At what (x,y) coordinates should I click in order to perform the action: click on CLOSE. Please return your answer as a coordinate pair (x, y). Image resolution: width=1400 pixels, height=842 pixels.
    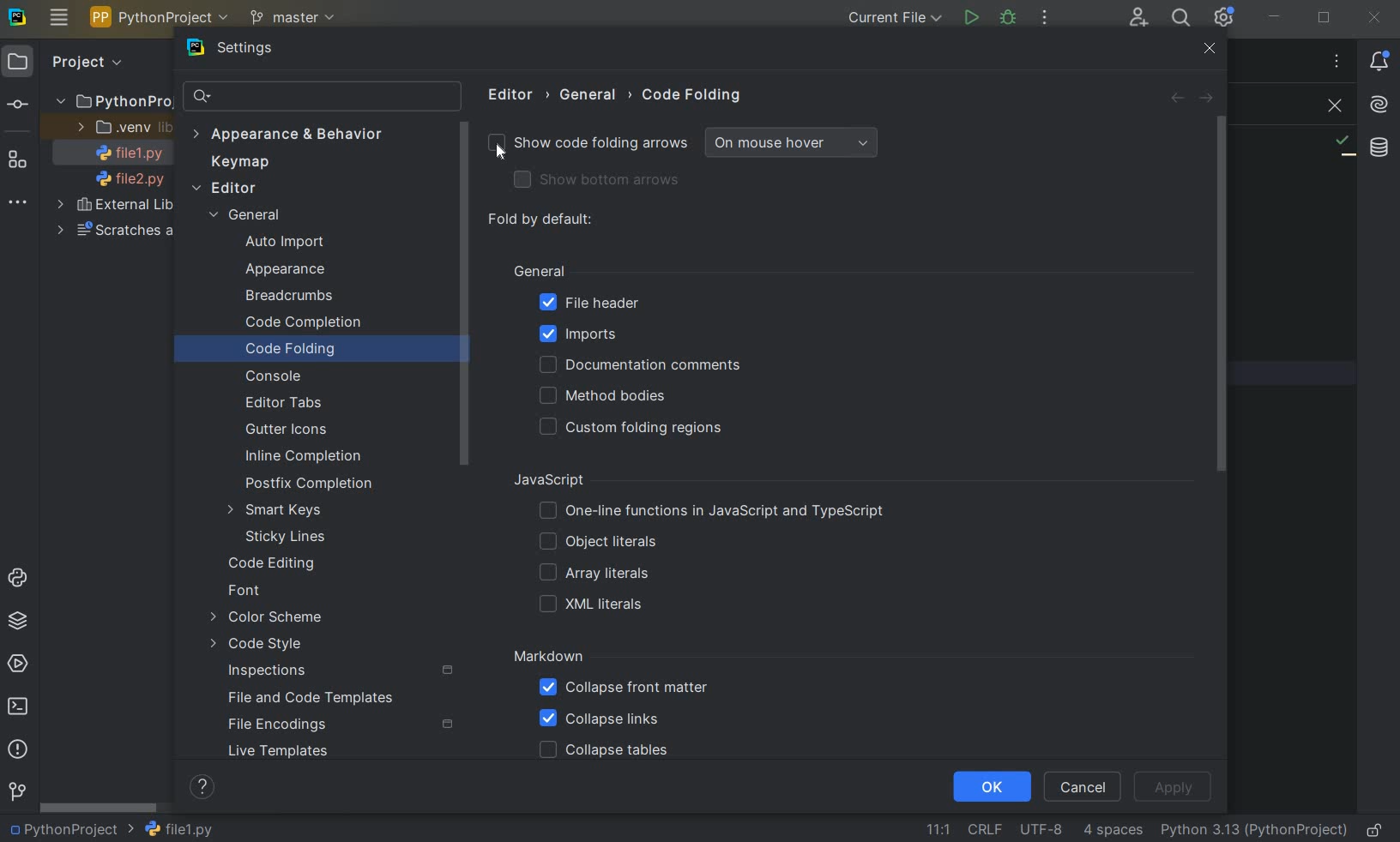
    Looking at the image, I should click on (1378, 16).